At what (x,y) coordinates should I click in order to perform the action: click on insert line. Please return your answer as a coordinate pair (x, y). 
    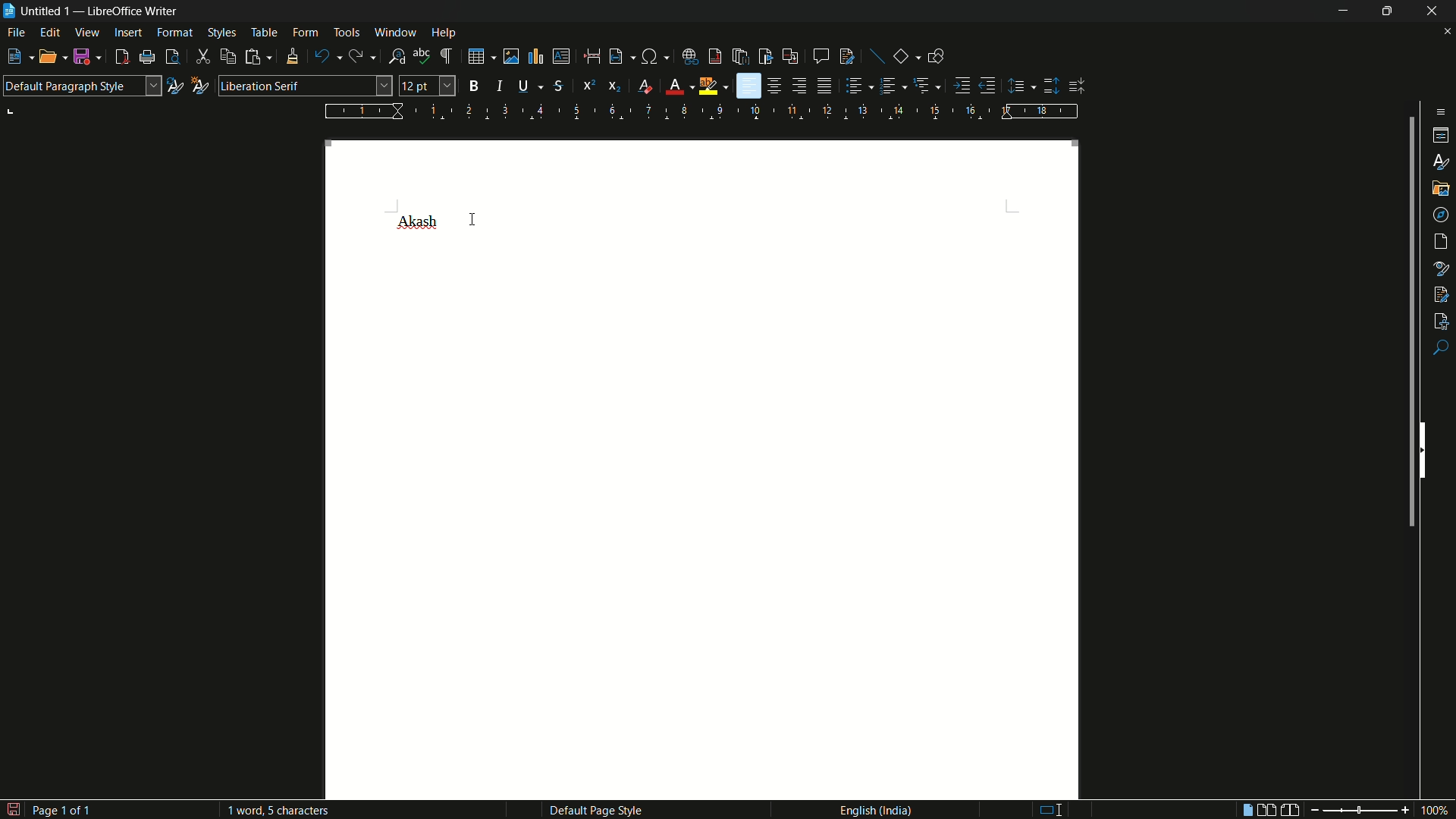
    Looking at the image, I should click on (878, 58).